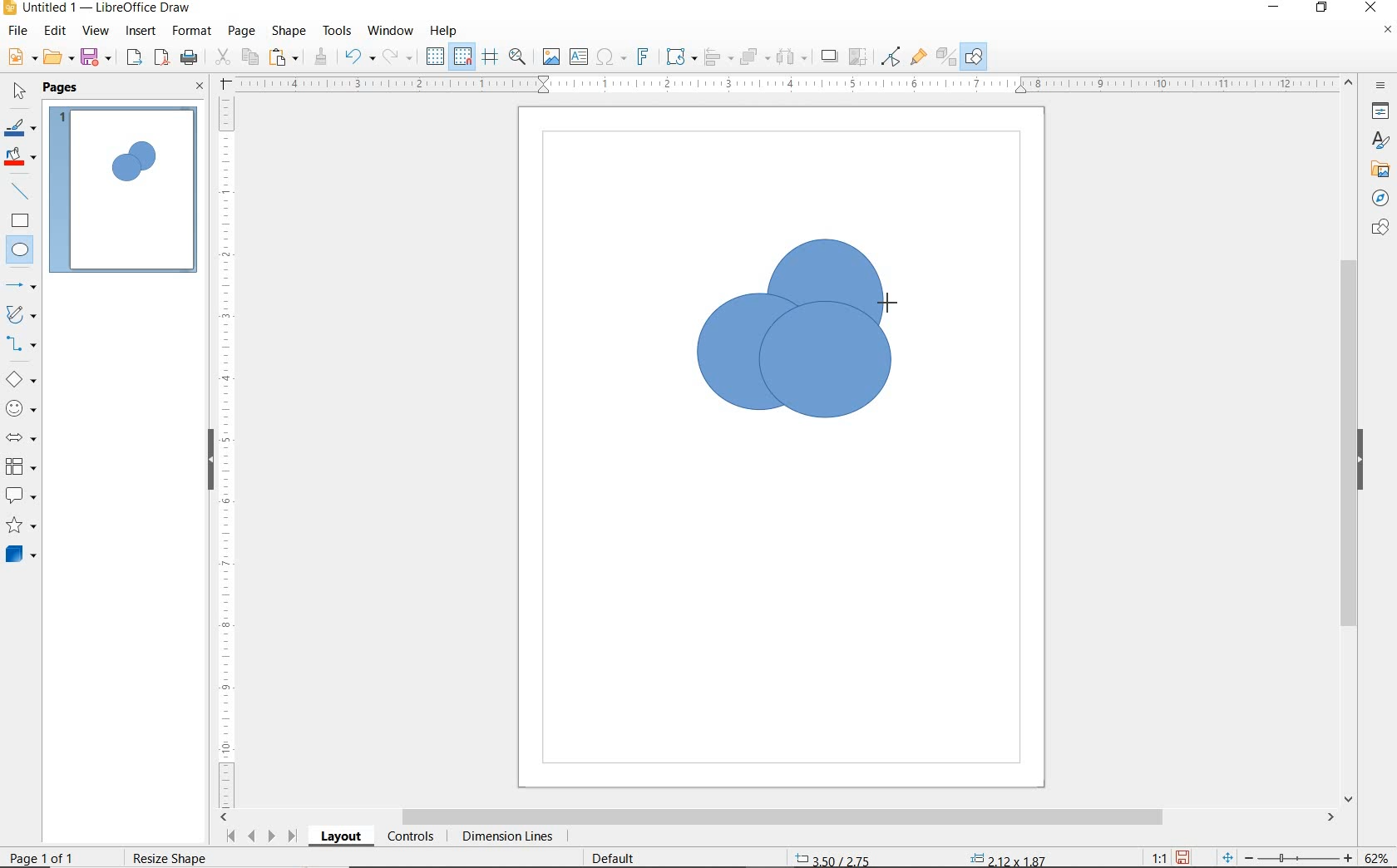 The image size is (1397, 868). I want to click on SHAPE, so click(290, 33).